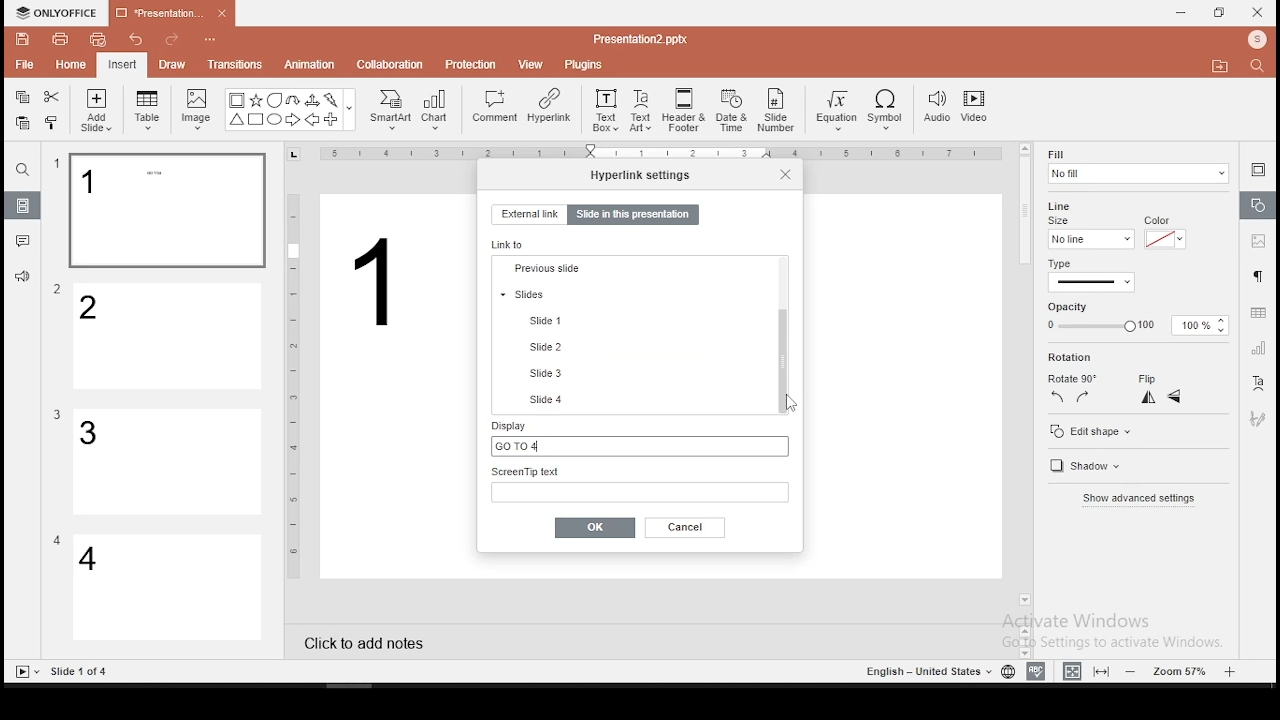 This screenshot has height=720, width=1280. What do you see at coordinates (213, 41) in the screenshot?
I see `` at bounding box center [213, 41].